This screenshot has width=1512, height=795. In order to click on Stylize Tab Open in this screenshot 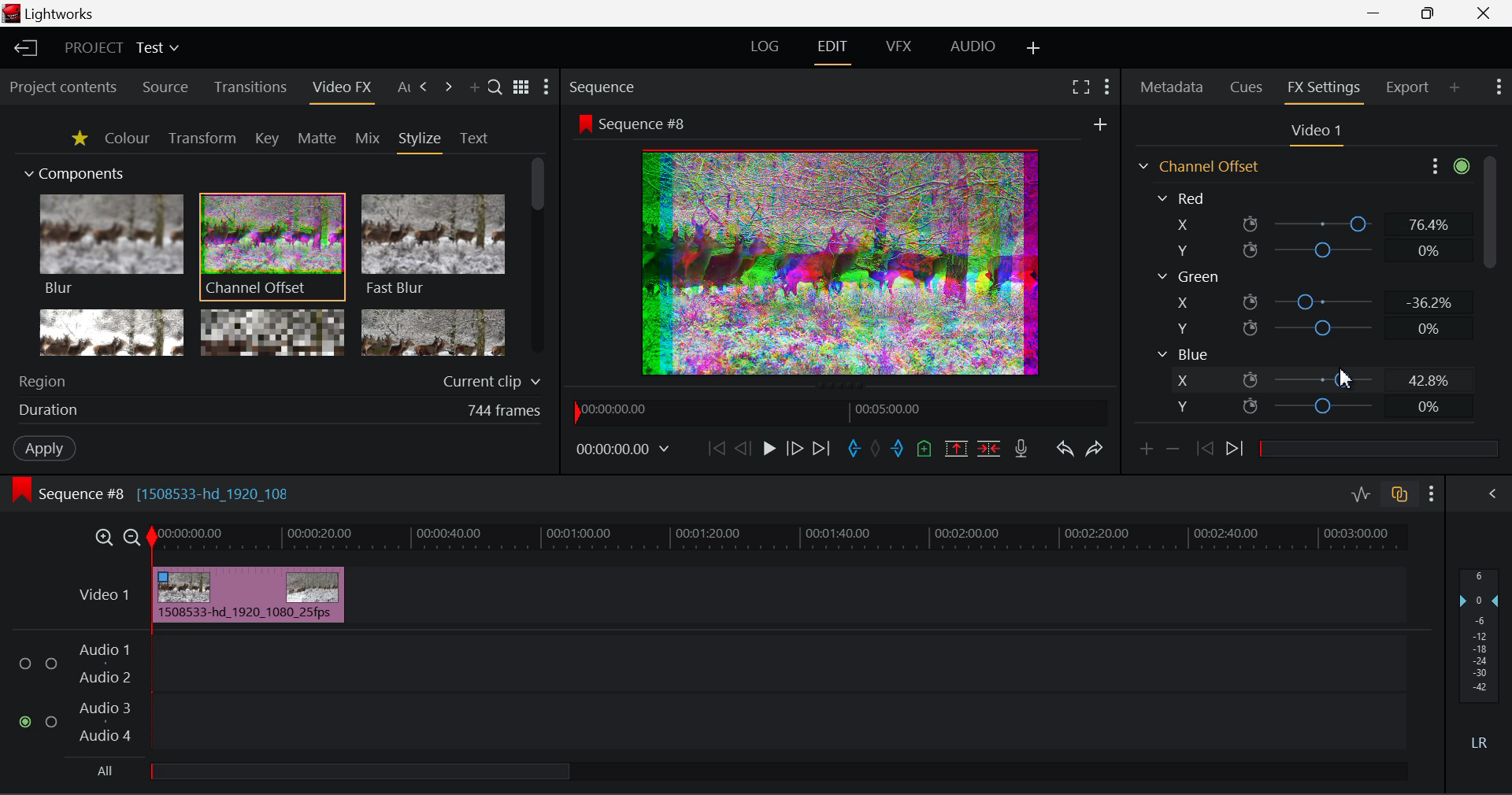, I will do `click(419, 142)`.